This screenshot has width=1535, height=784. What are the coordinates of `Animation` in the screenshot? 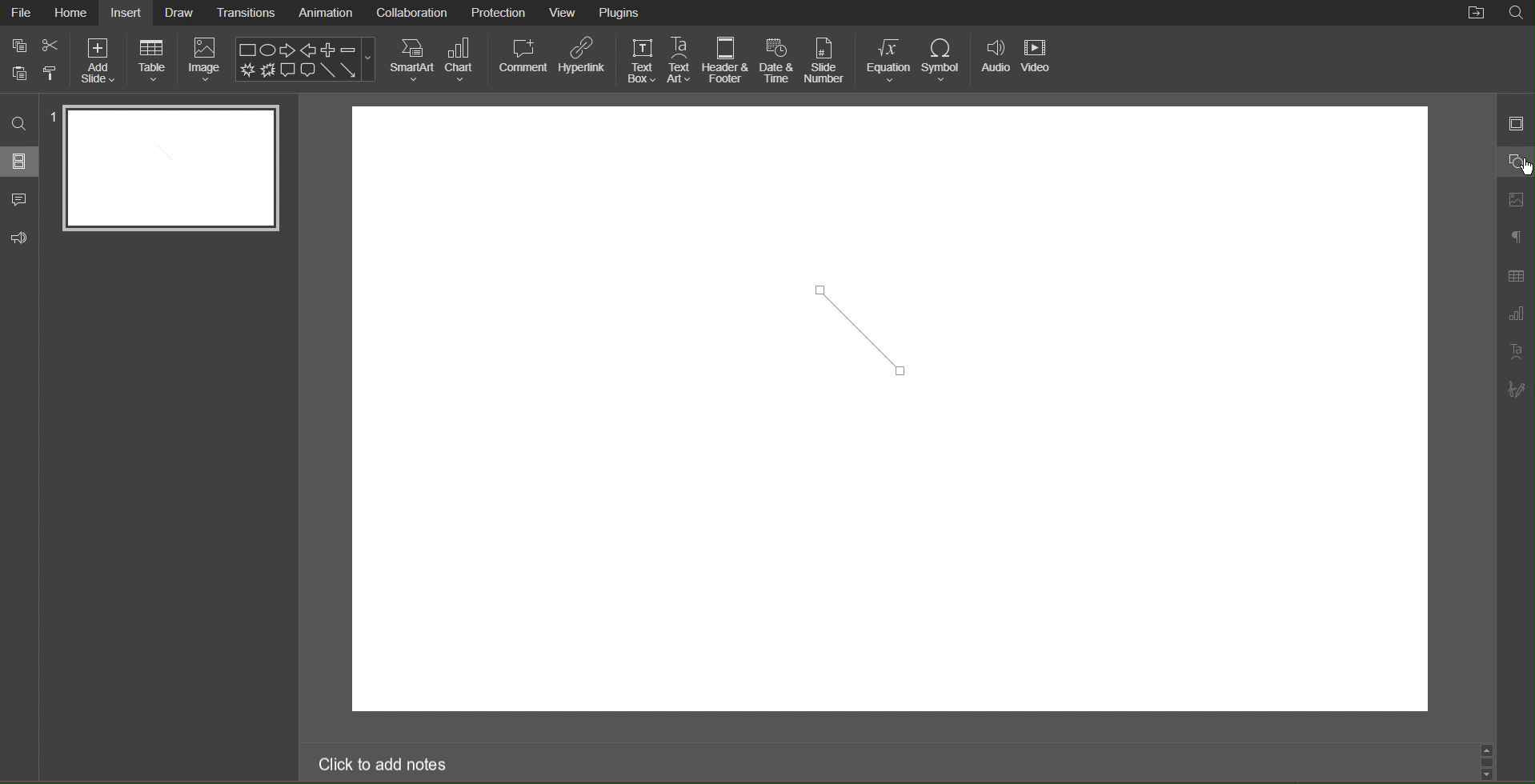 It's located at (324, 14).